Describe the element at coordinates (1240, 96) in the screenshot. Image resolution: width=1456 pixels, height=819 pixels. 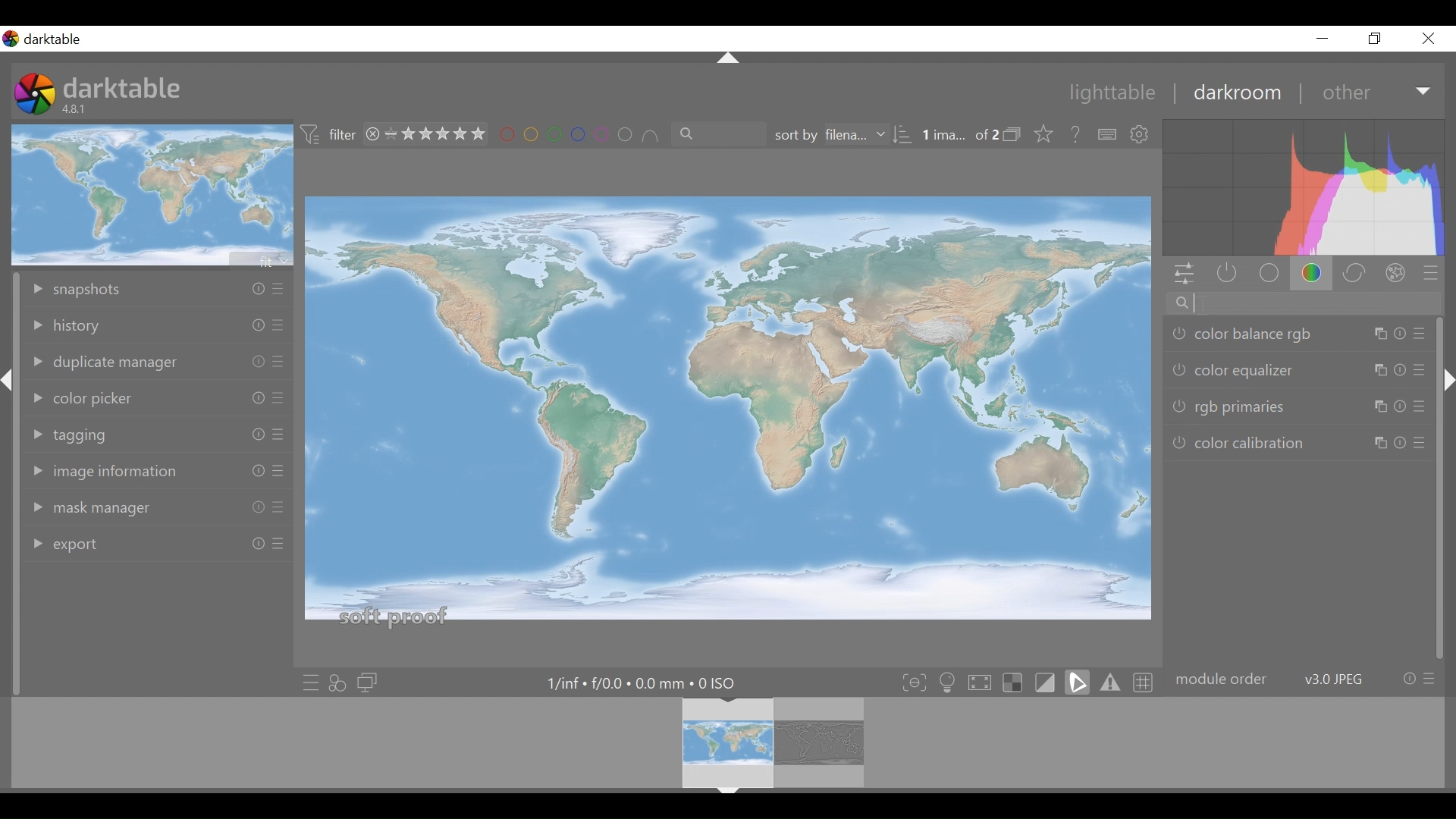
I see `darkroom` at that location.